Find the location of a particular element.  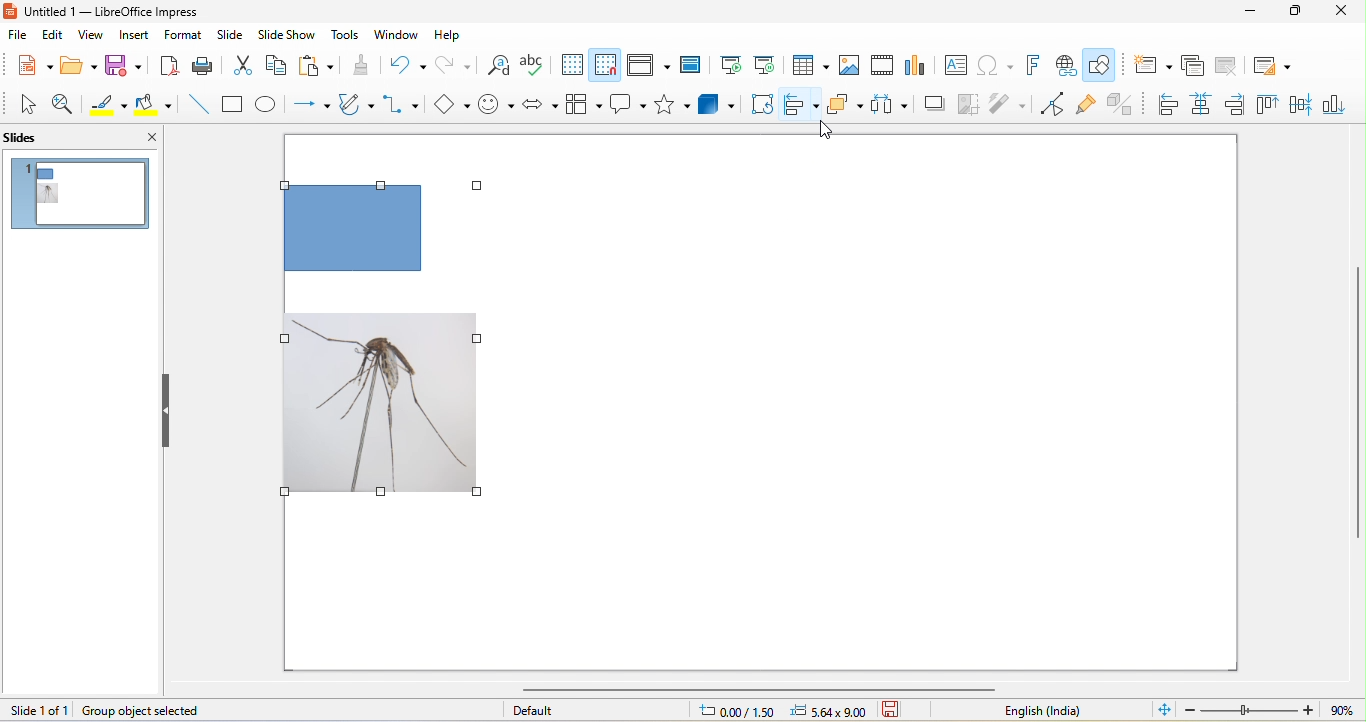

center is located at coordinates (1302, 109).